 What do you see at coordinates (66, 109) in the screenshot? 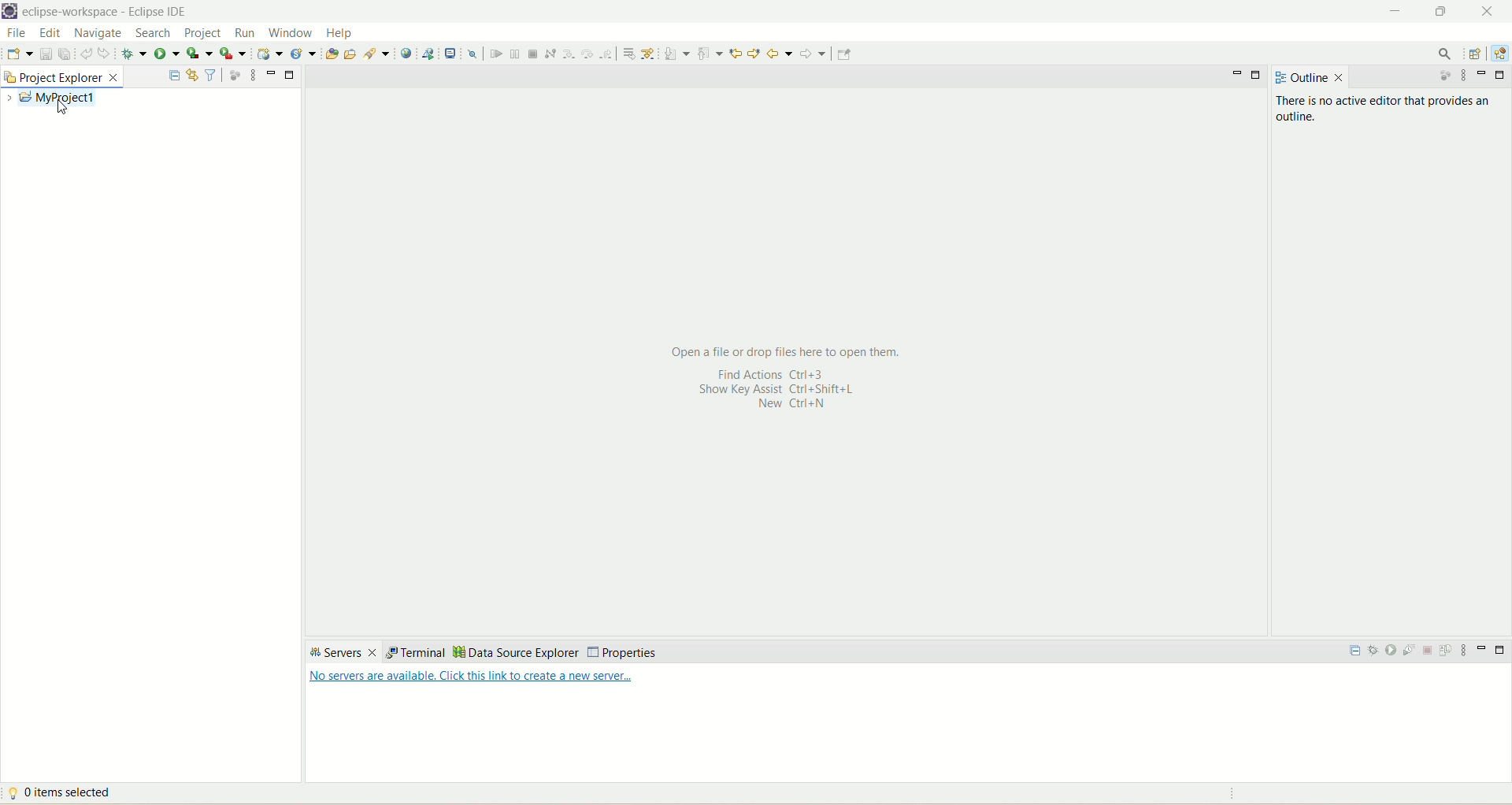
I see `cursor` at bounding box center [66, 109].